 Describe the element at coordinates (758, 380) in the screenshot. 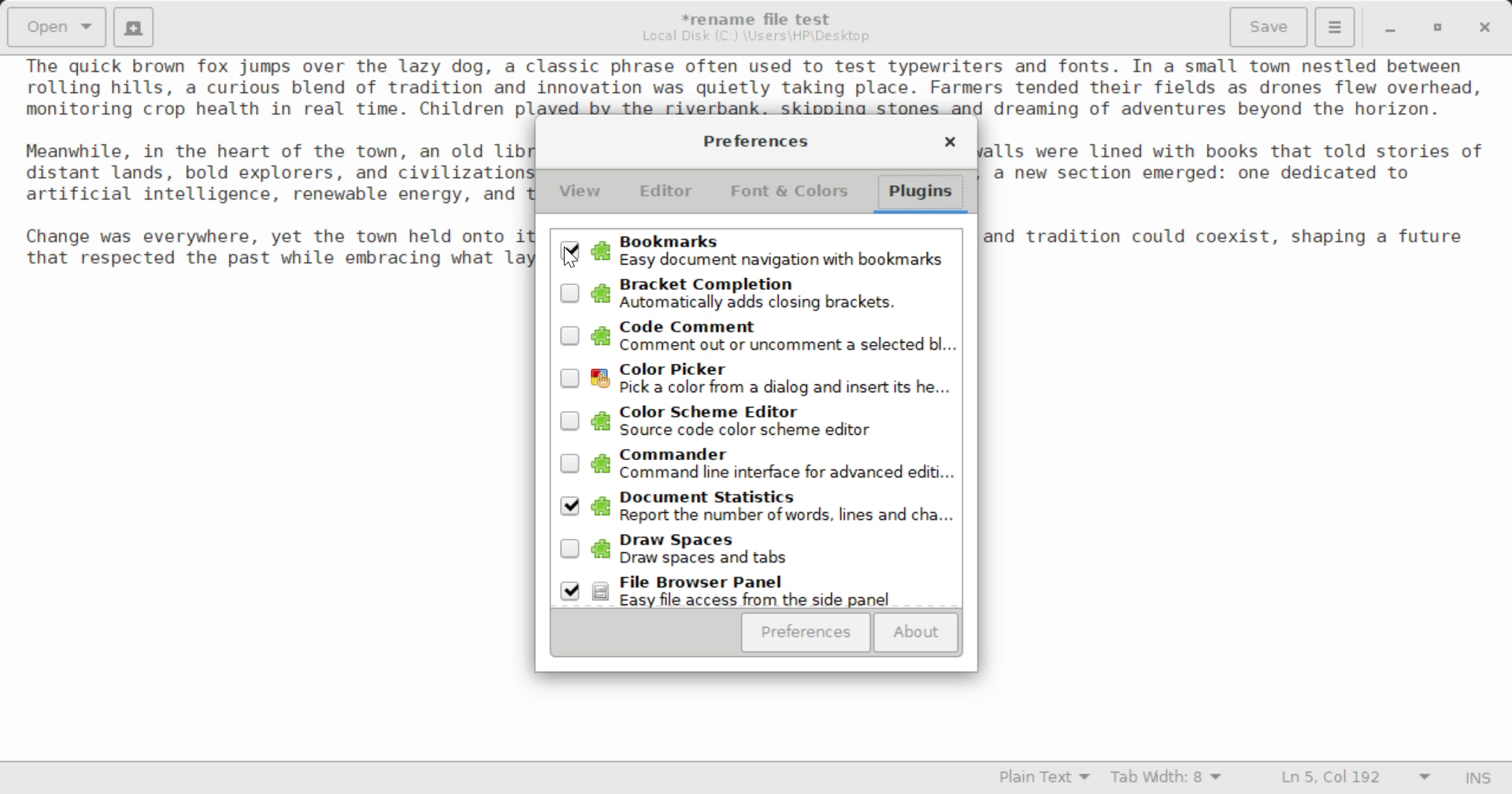

I see `Unselected Color Picker Plugin` at that location.